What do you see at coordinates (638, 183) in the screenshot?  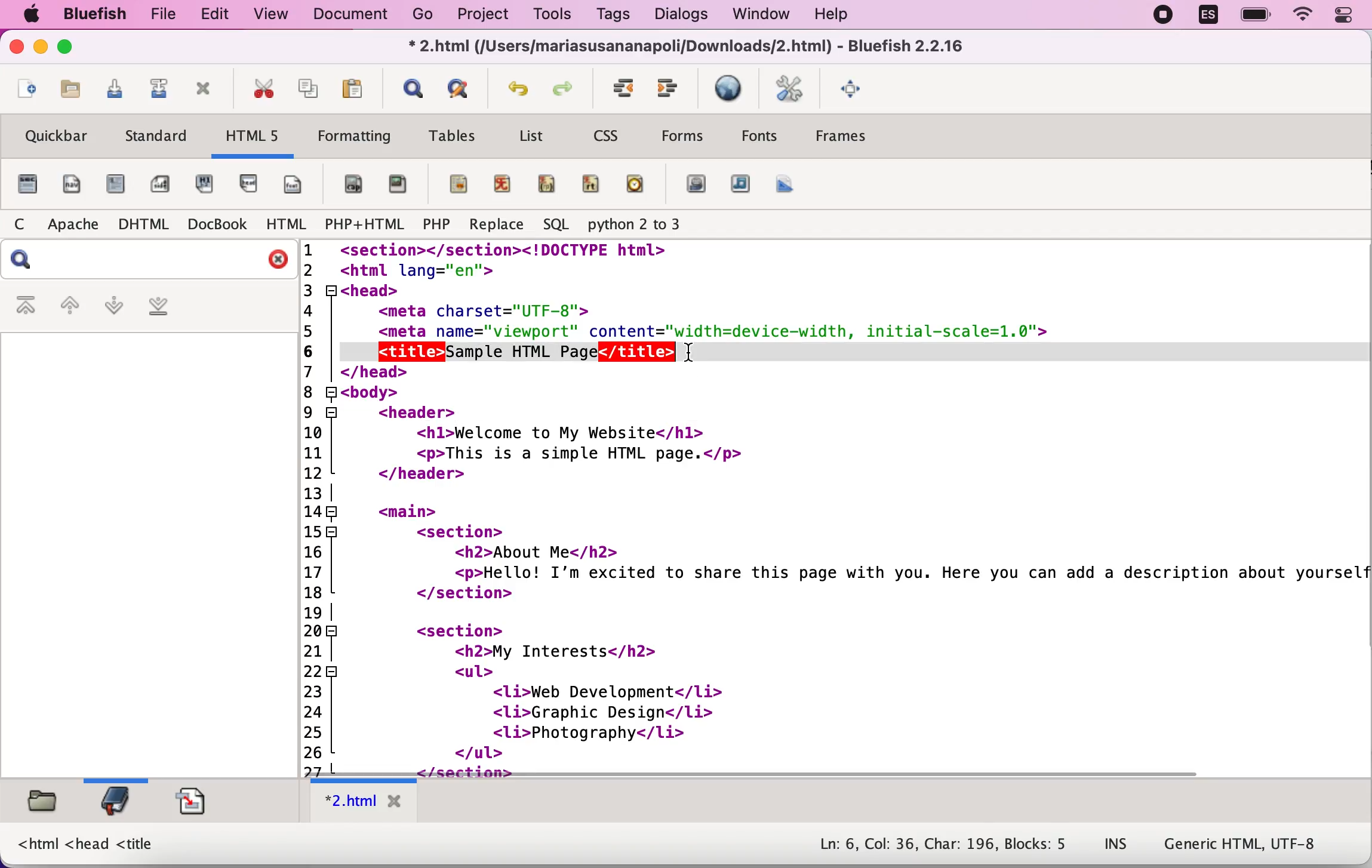 I see `time` at bounding box center [638, 183].